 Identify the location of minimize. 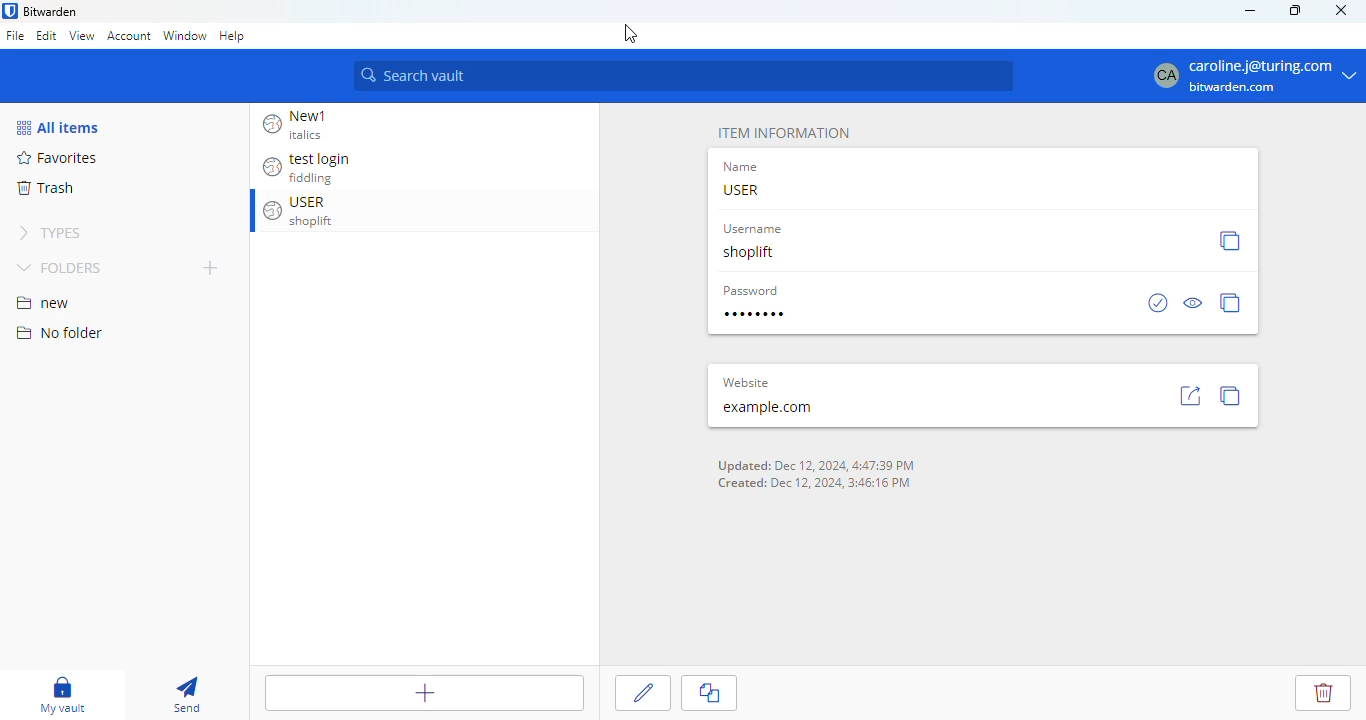
(1251, 12).